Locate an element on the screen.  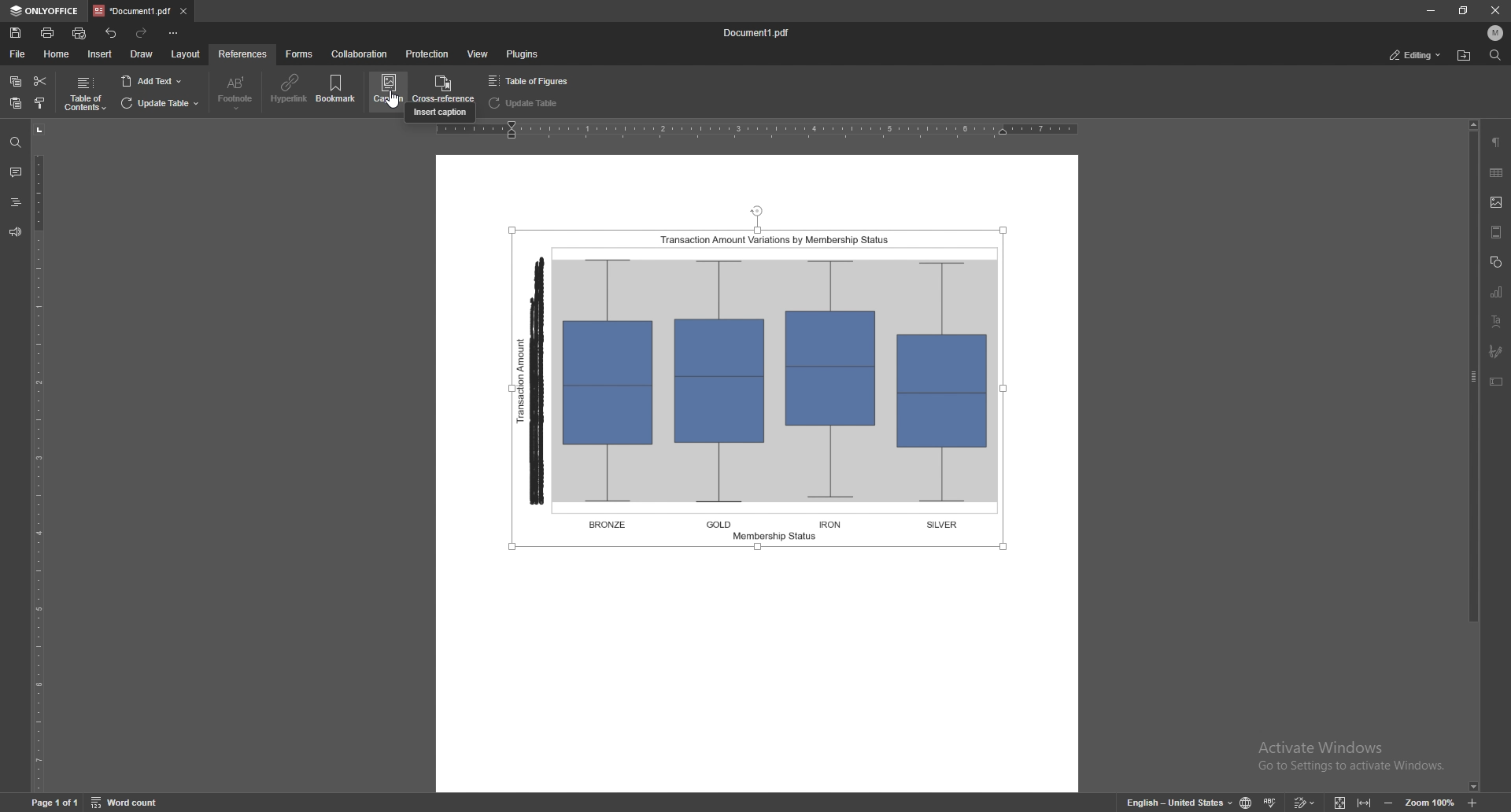
text box is located at coordinates (1497, 381).